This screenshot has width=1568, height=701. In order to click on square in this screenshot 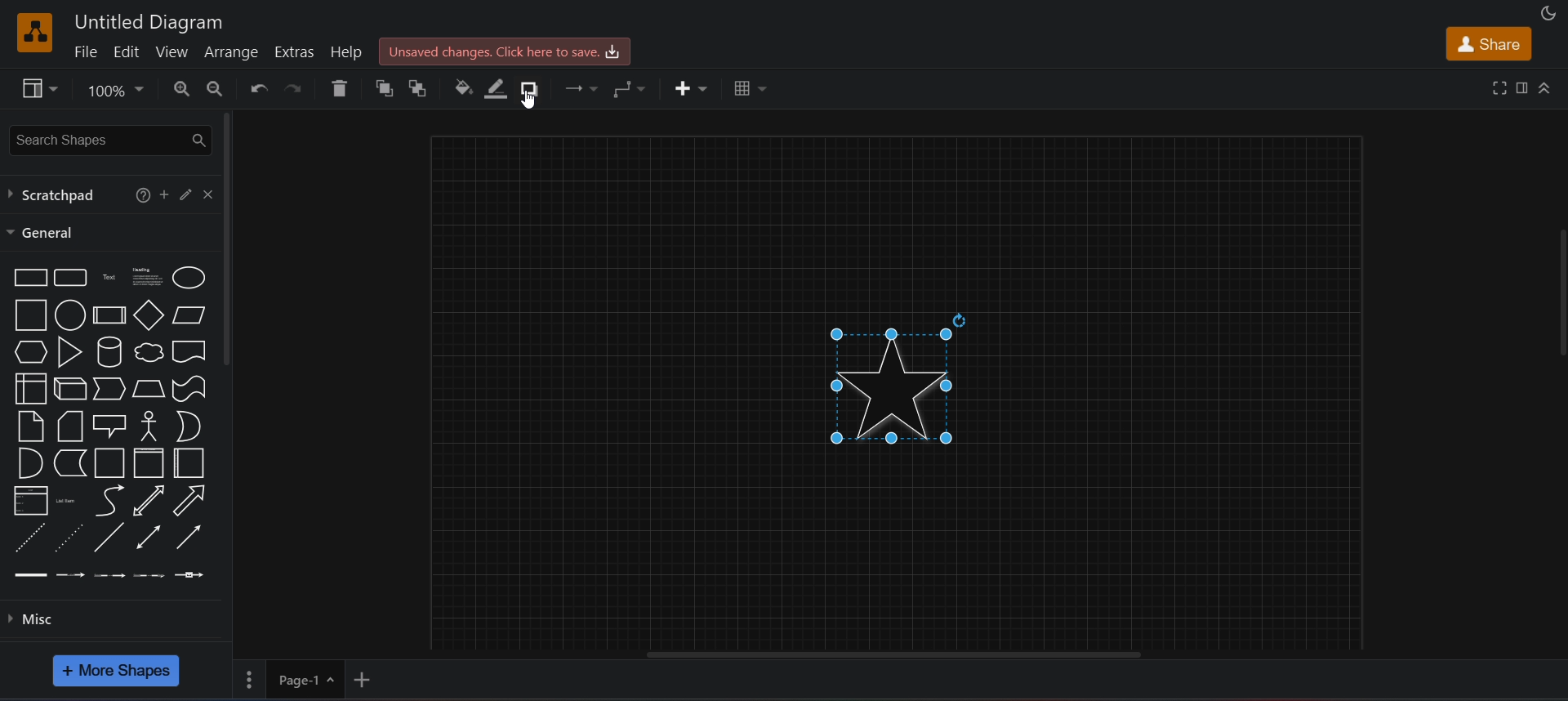, I will do `click(29, 315)`.